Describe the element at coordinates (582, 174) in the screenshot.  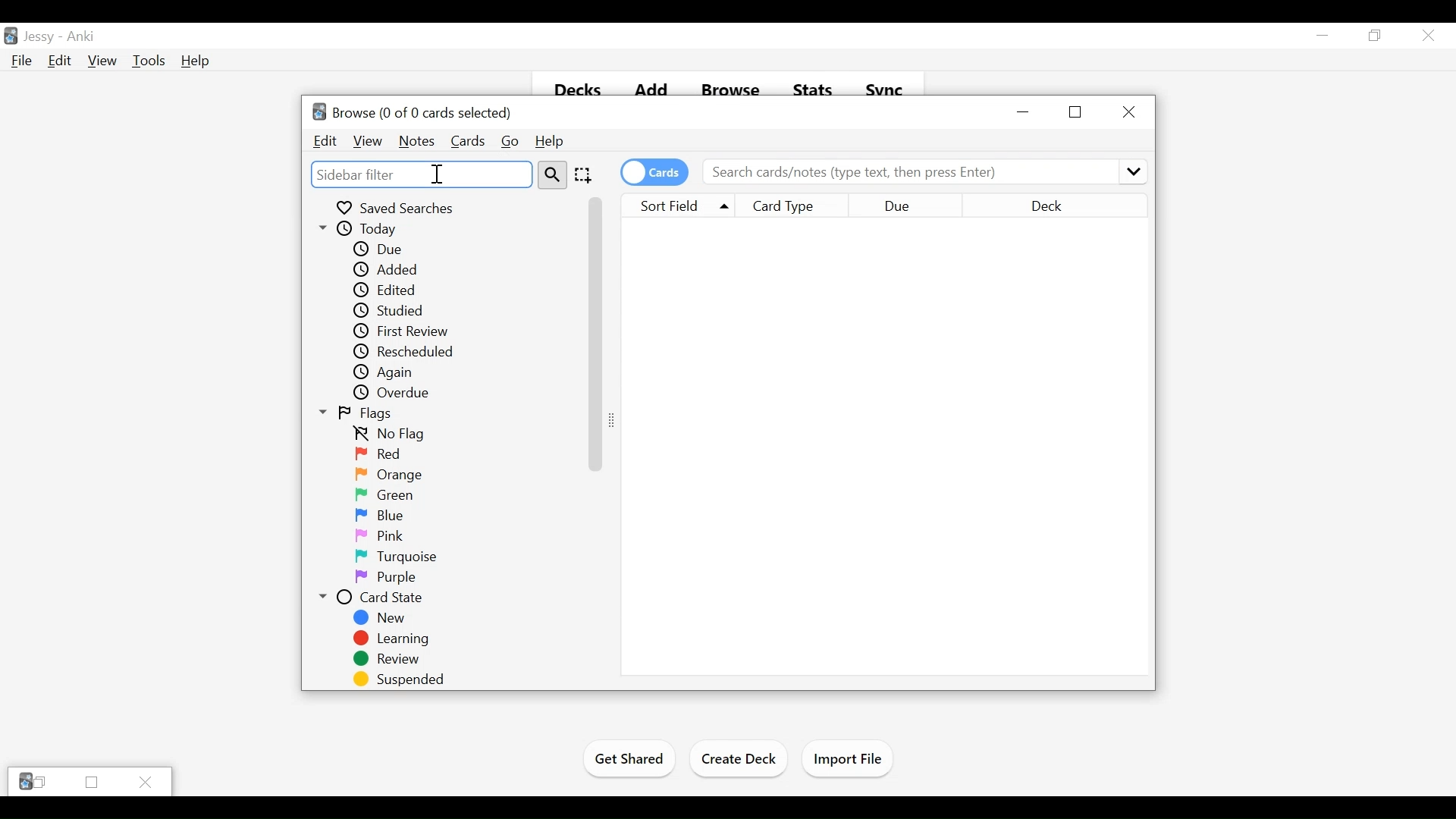
I see `Selection Tool` at that location.